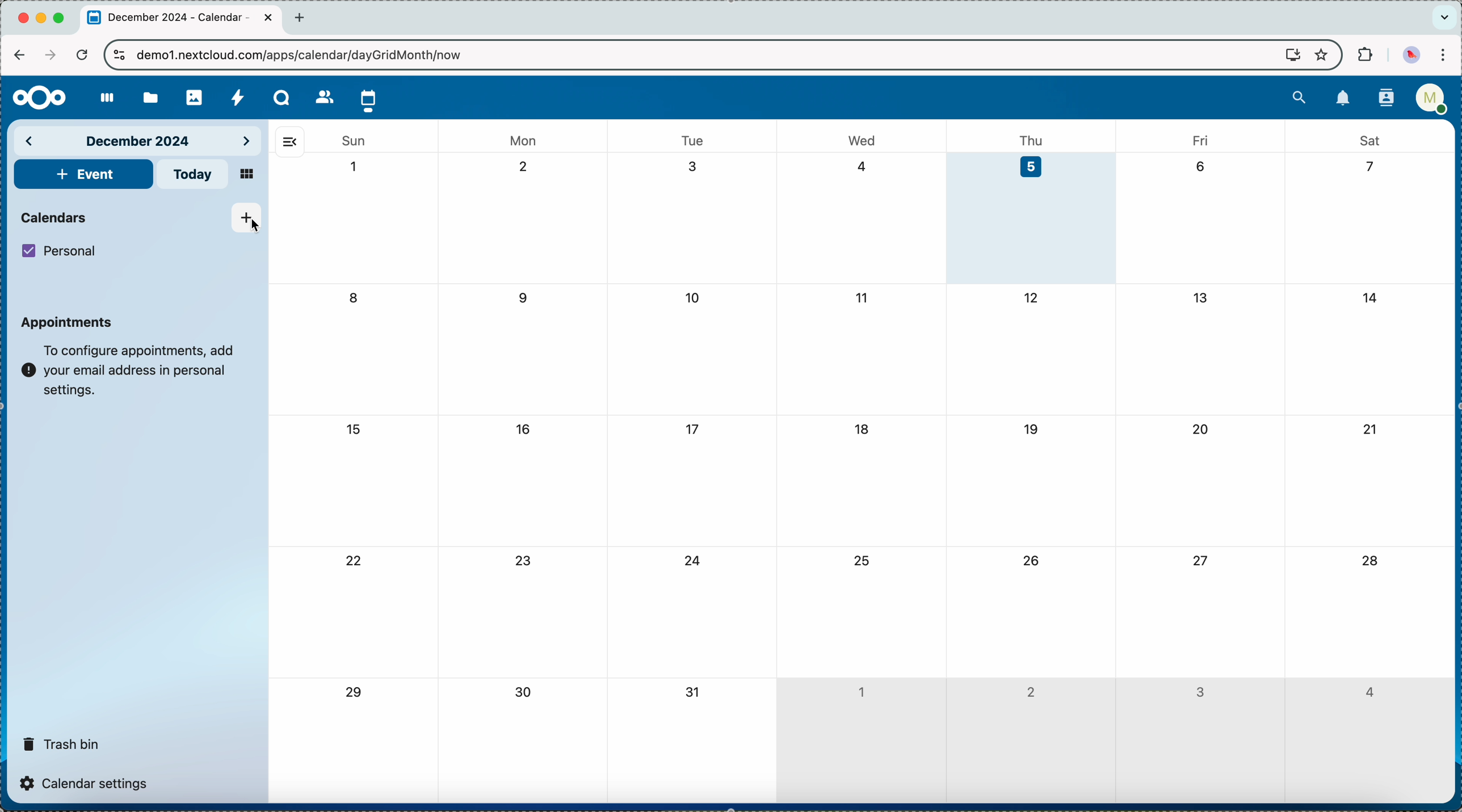 The width and height of the screenshot is (1462, 812). What do you see at coordinates (354, 299) in the screenshot?
I see `8` at bounding box center [354, 299].